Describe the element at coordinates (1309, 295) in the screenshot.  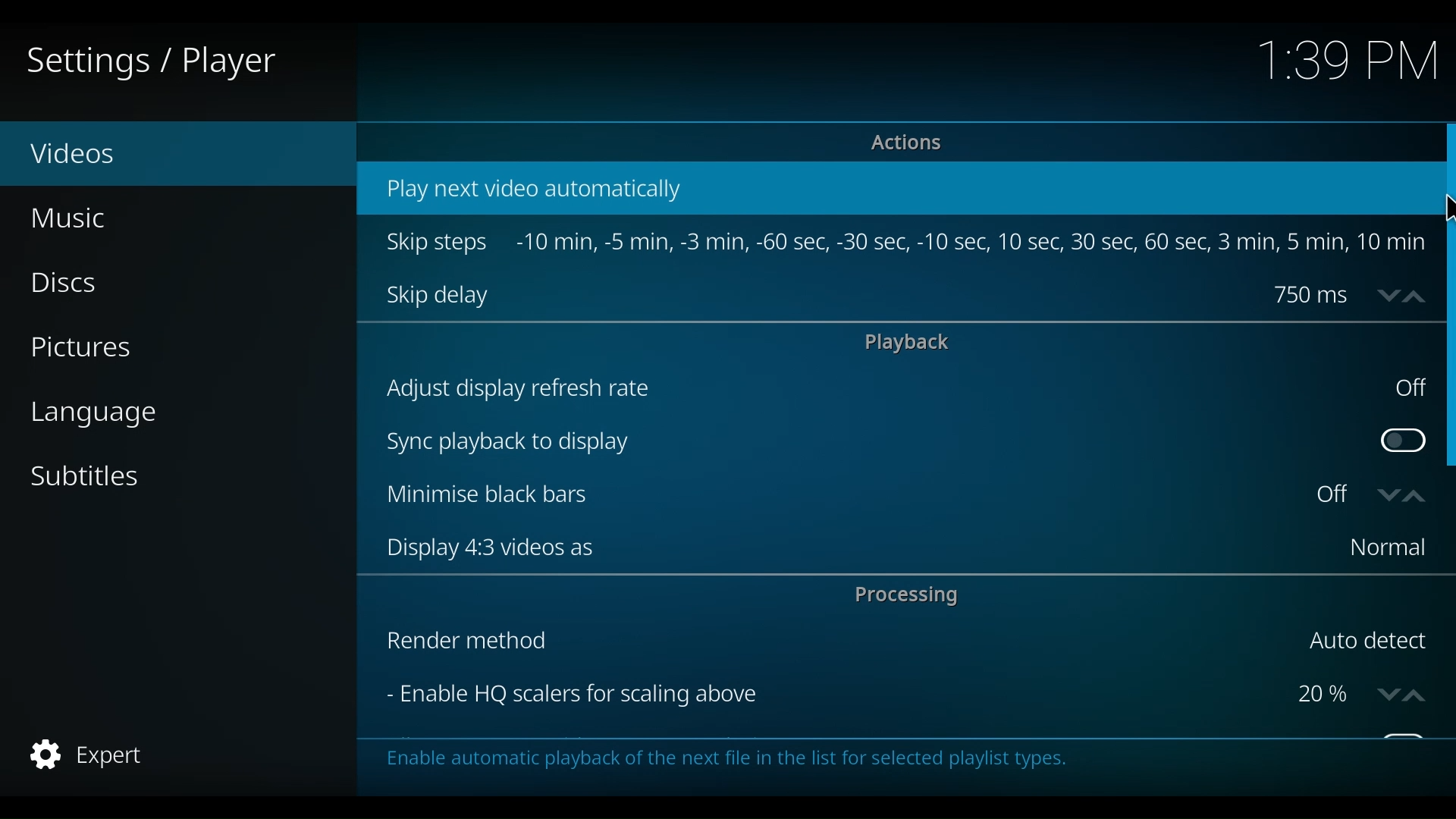
I see `750 ms` at that location.